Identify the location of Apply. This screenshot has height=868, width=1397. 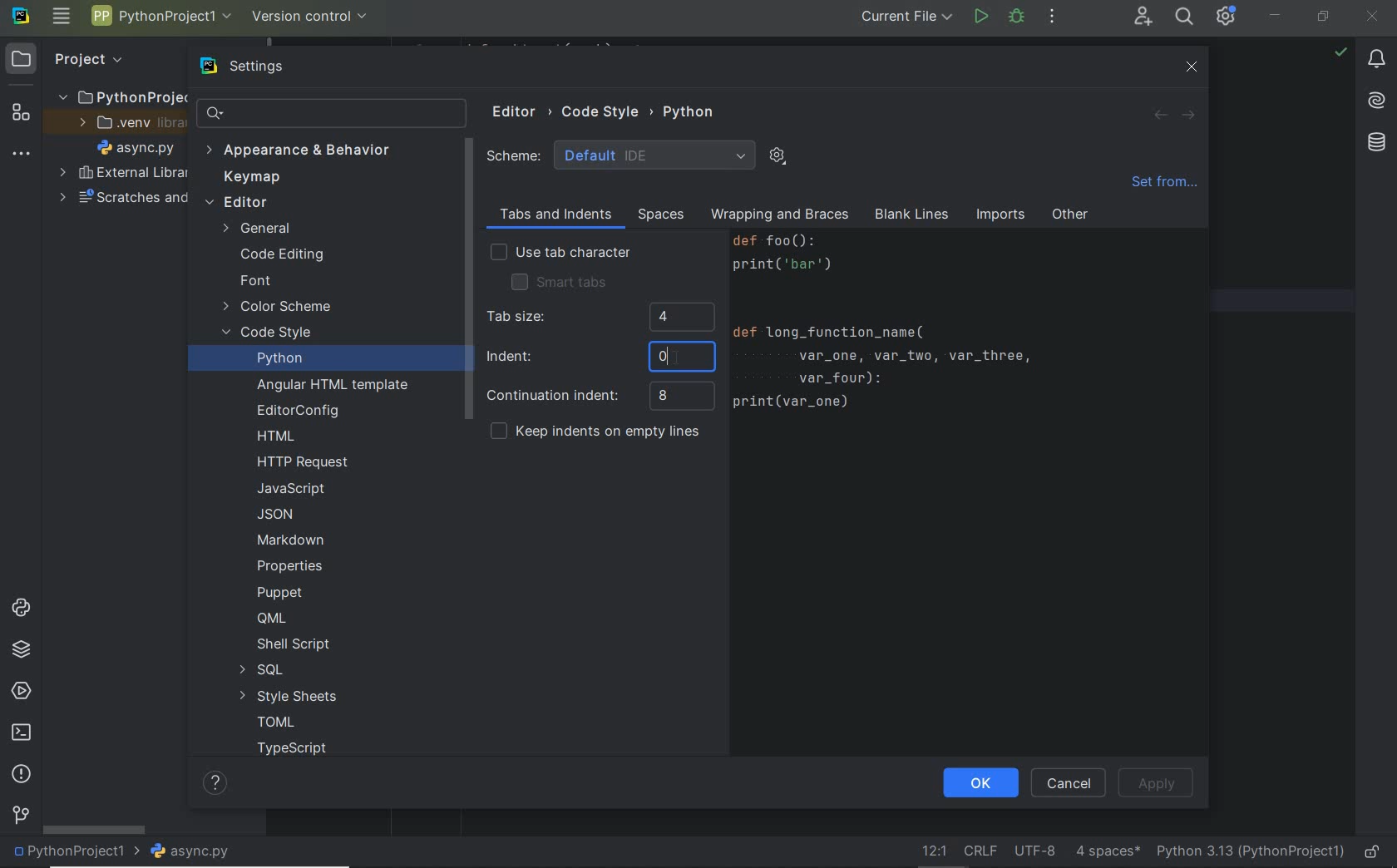
(1160, 783).